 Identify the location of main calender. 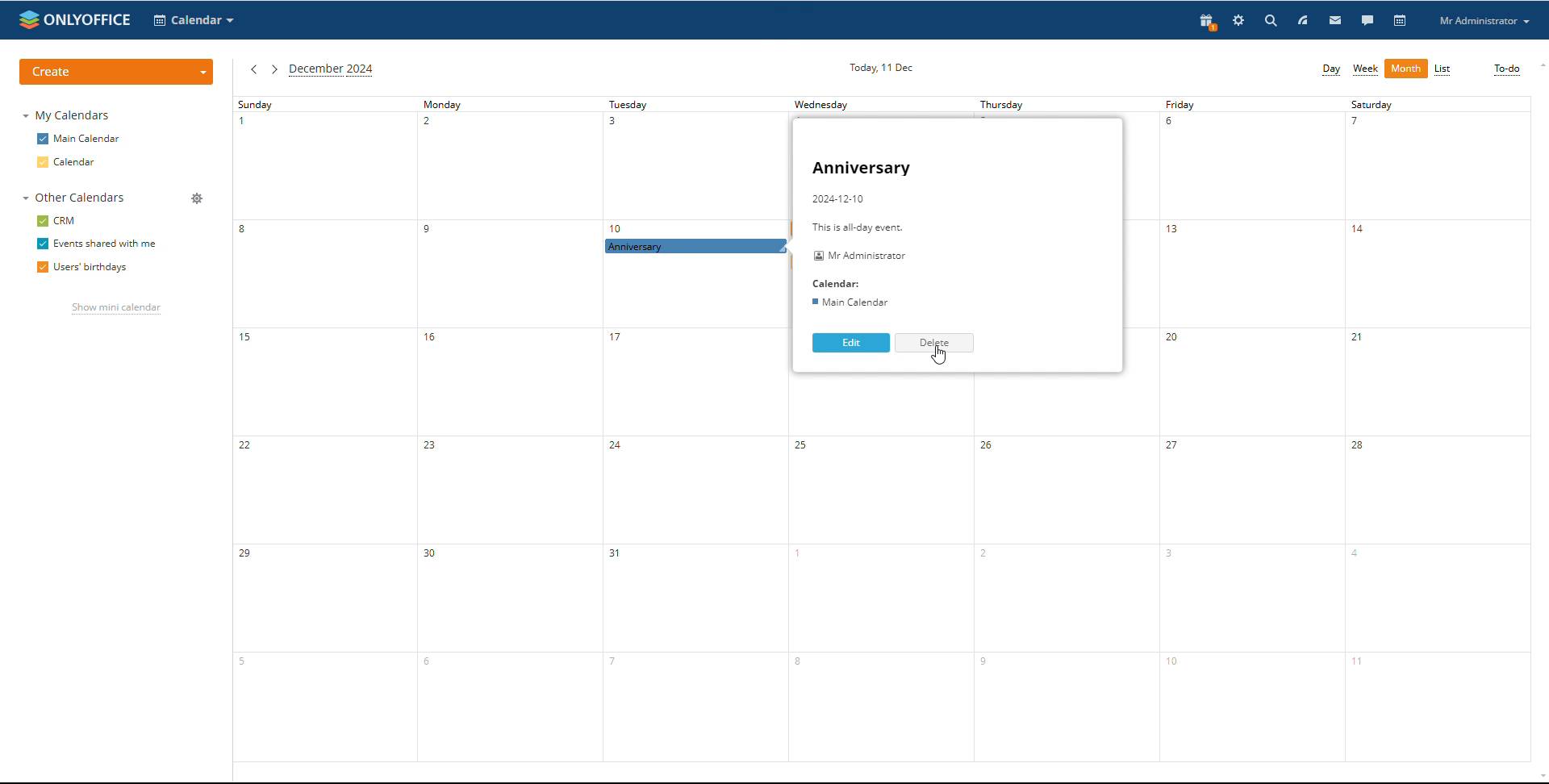
(848, 303).